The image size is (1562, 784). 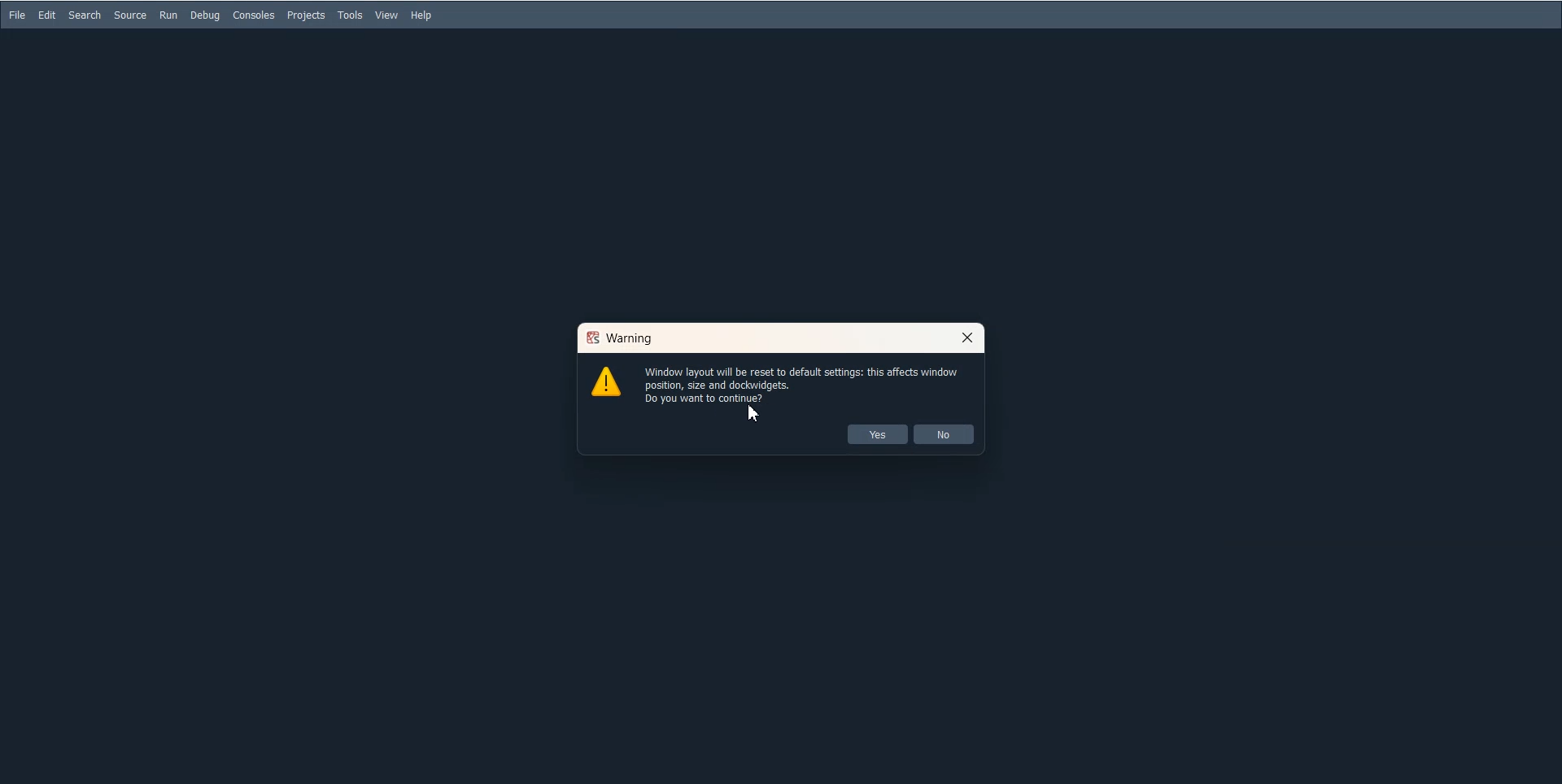 What do you see at coordinates (168, 15) in the screenshot?
I see `RUN` at bounding box center [168, 15].